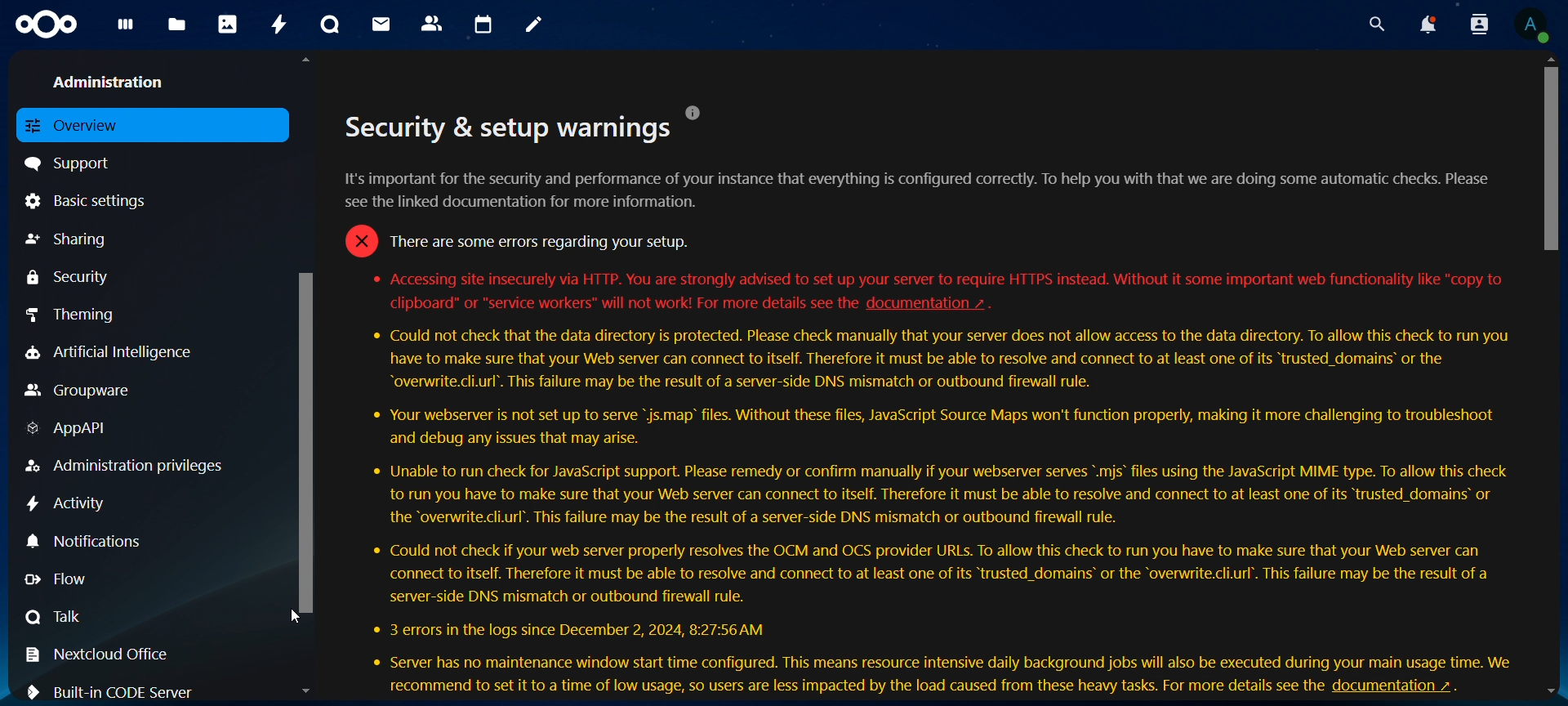 Image resolution: width=1568 pixels, height=706 pixels. Describe the element at coordinates (281, 25) in the screenshot. I see `activity` at that location.